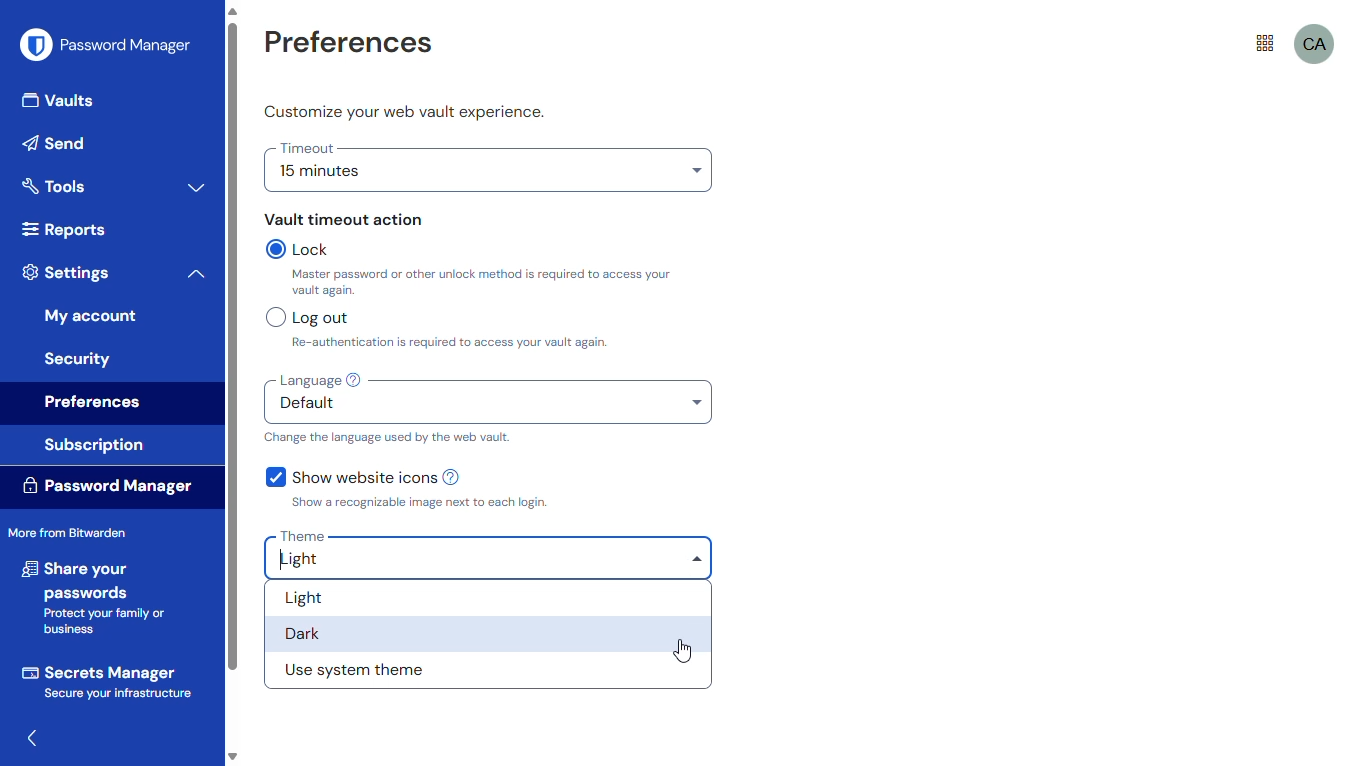  What do you see at coordinates (61, 103) in the screenshot?
I see `vaults` at bounding box center [61, 103].